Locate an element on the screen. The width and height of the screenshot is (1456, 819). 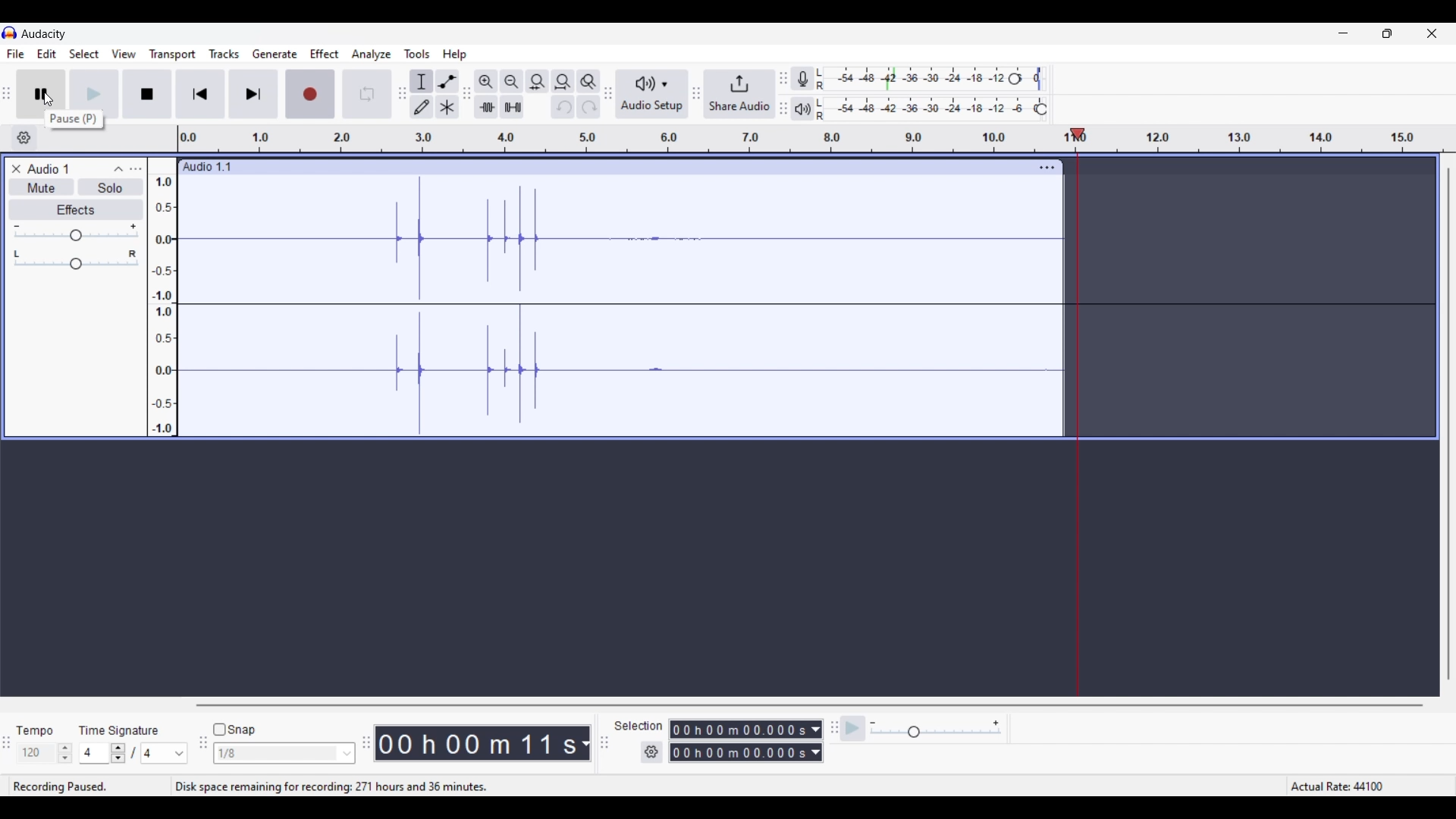
Minimum playback speed is located at coordinates (873, 723).